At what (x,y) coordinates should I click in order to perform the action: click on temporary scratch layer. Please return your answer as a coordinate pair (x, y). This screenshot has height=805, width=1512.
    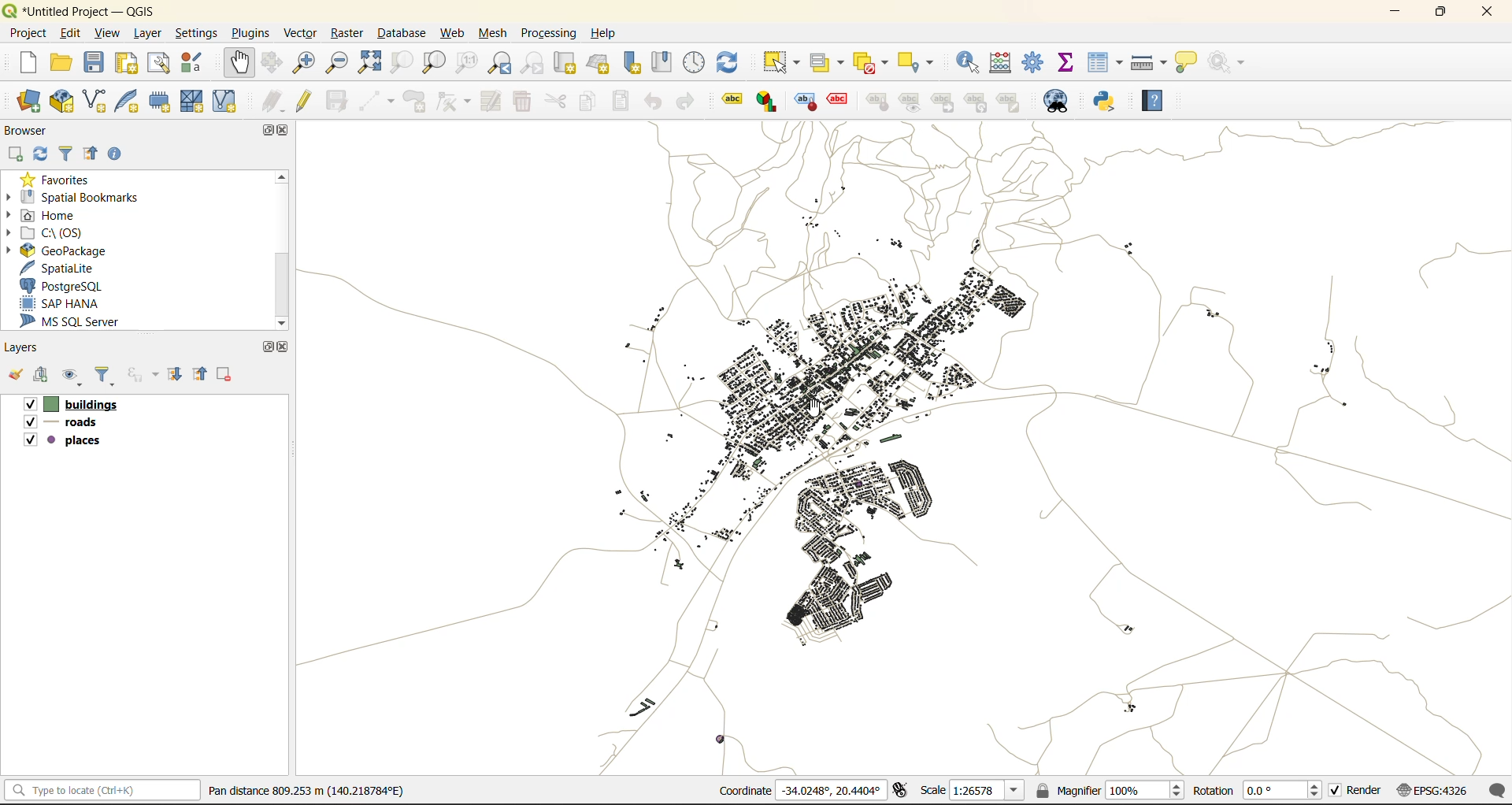
    Looking at the image, I should click on (161, 100).